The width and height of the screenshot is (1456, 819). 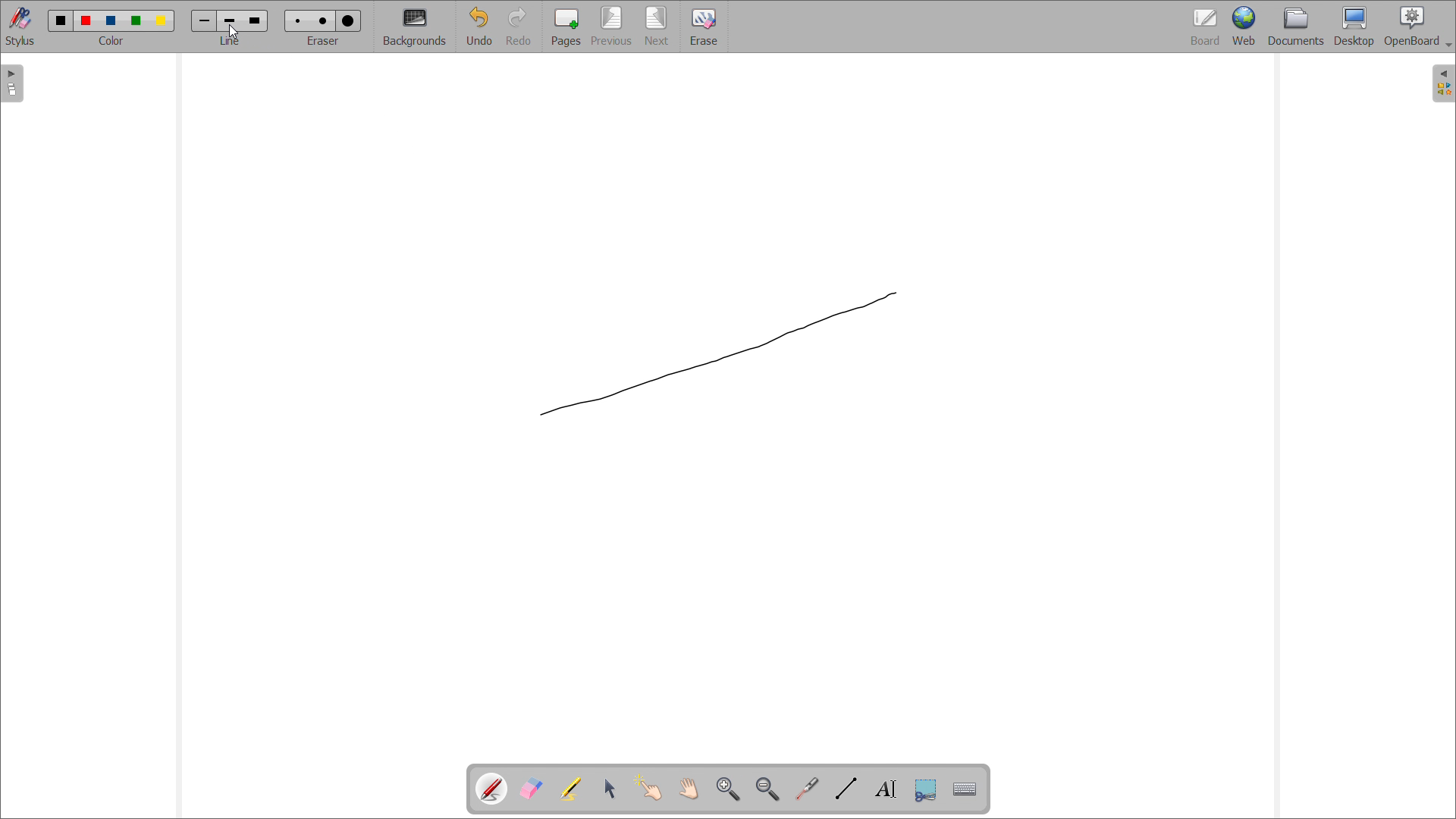 I want to click on color, so click(x=88, y=20).